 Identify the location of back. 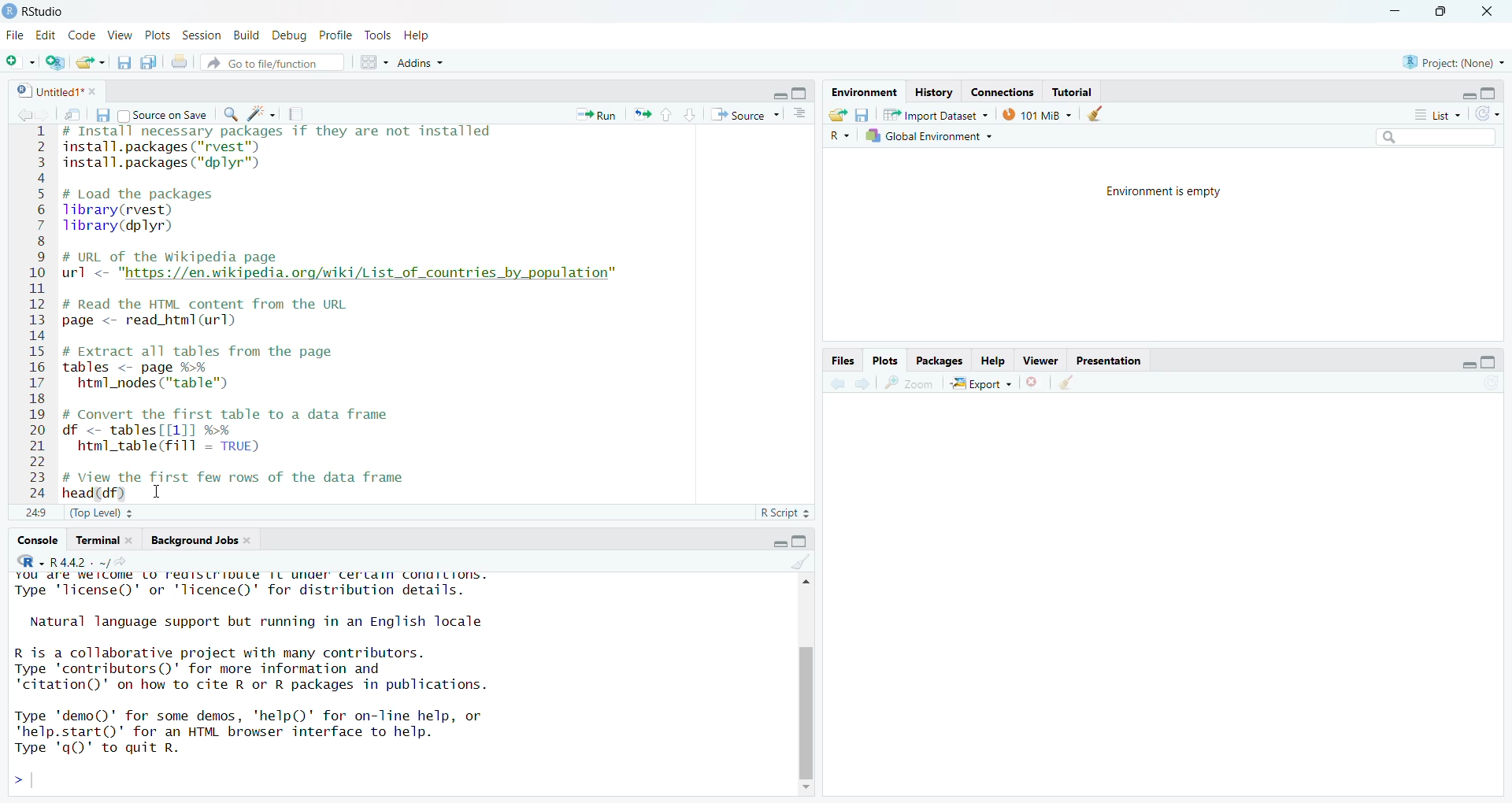
(26, 115).